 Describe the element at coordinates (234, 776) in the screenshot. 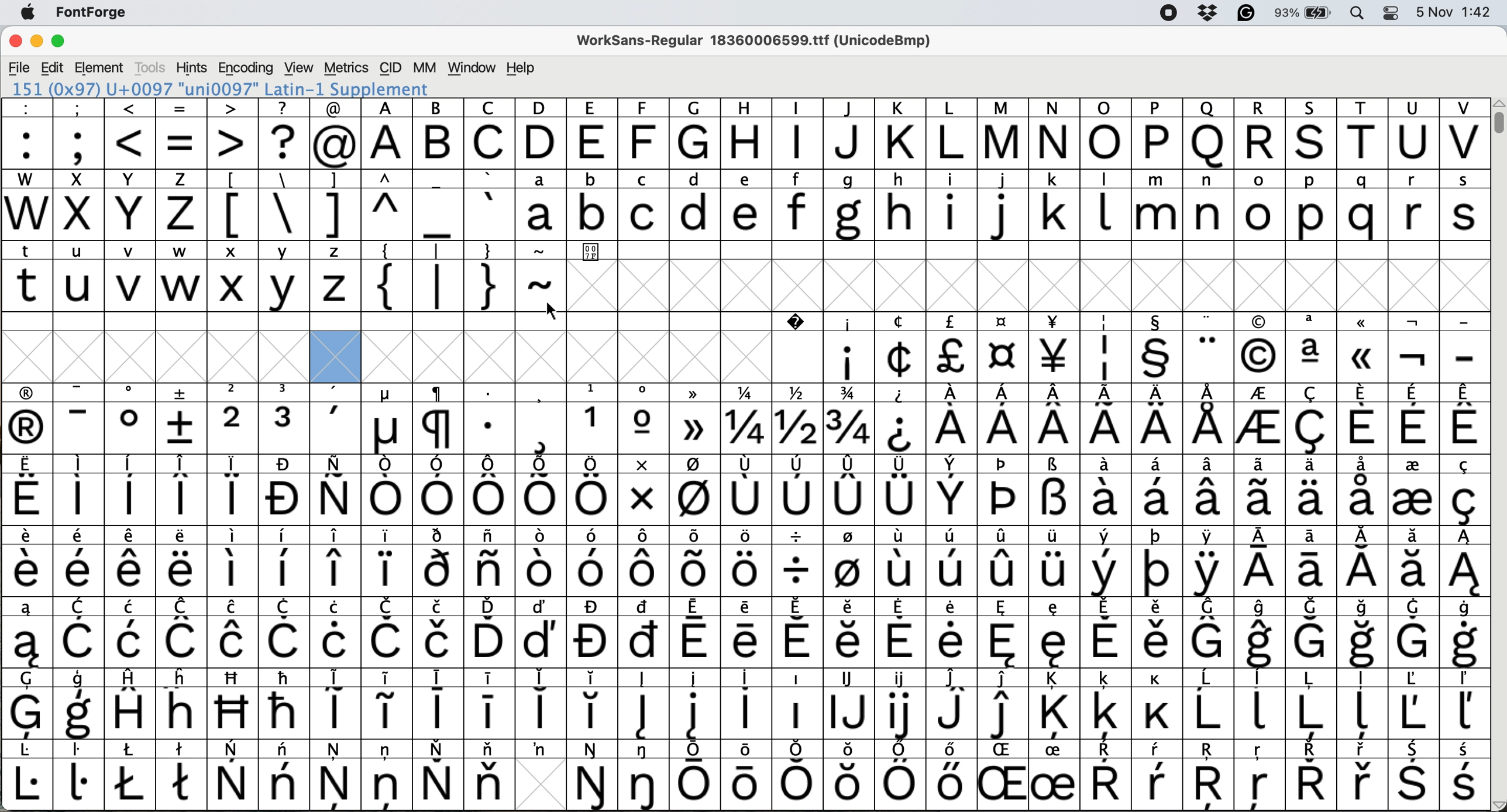

I see `symbol` at that location.